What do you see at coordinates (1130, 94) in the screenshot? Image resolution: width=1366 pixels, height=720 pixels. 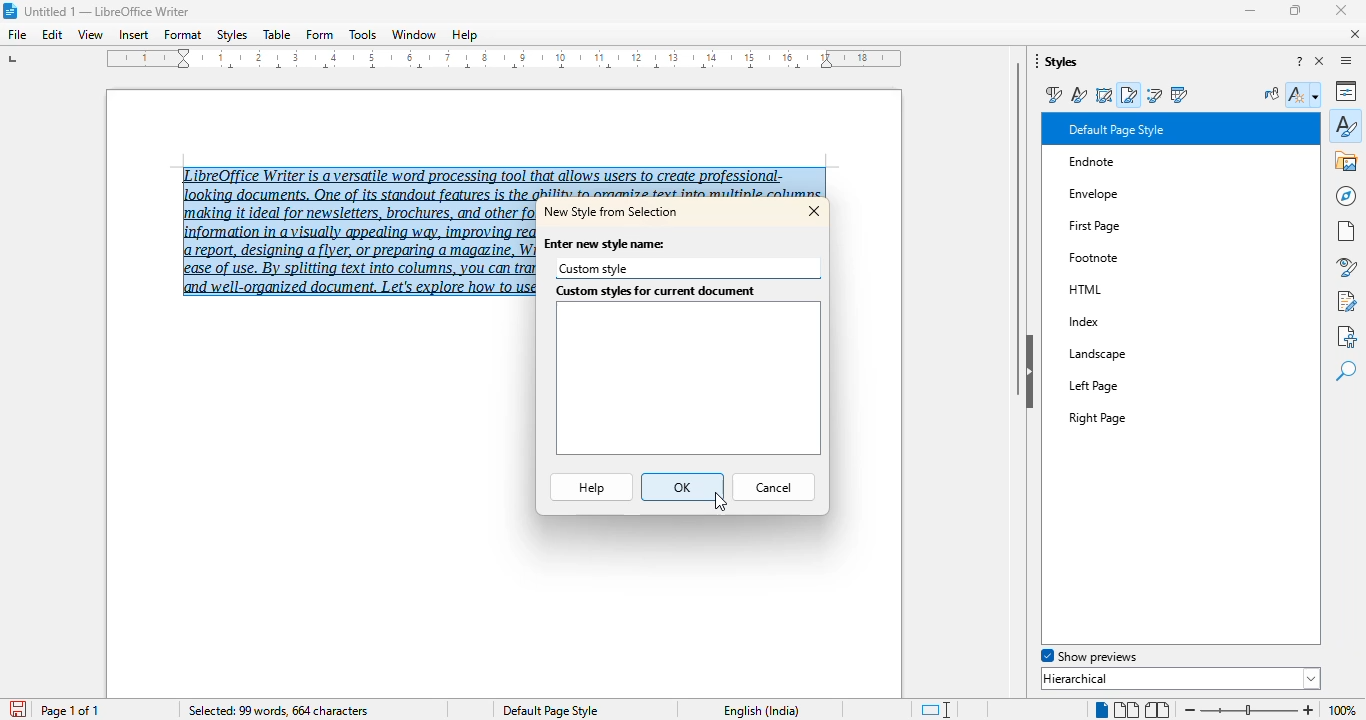 I see `page styles` at bounding box center [1130, 94].